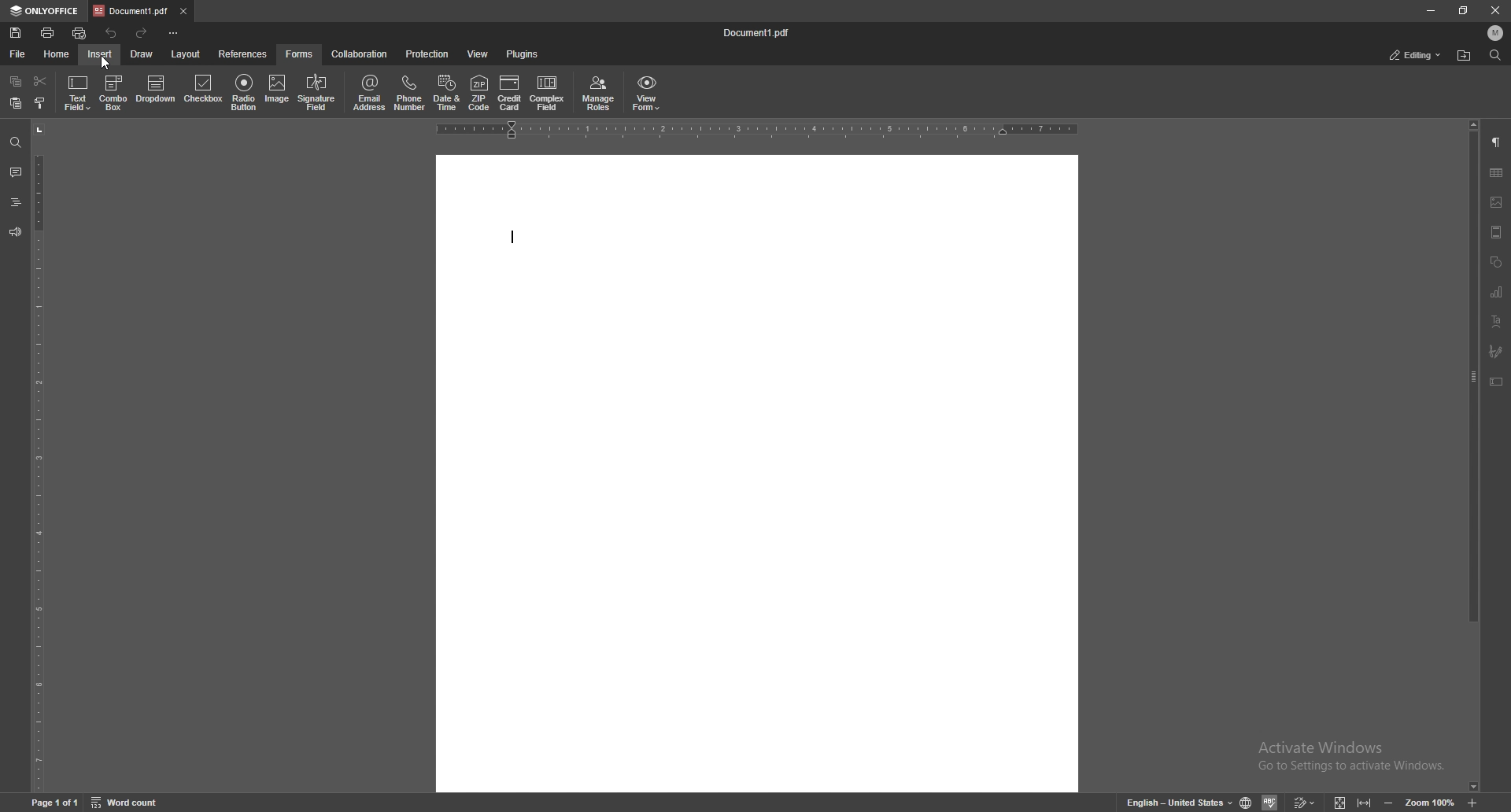 The image size is (1511, 812). I want to click on find, so click(1496, 55).